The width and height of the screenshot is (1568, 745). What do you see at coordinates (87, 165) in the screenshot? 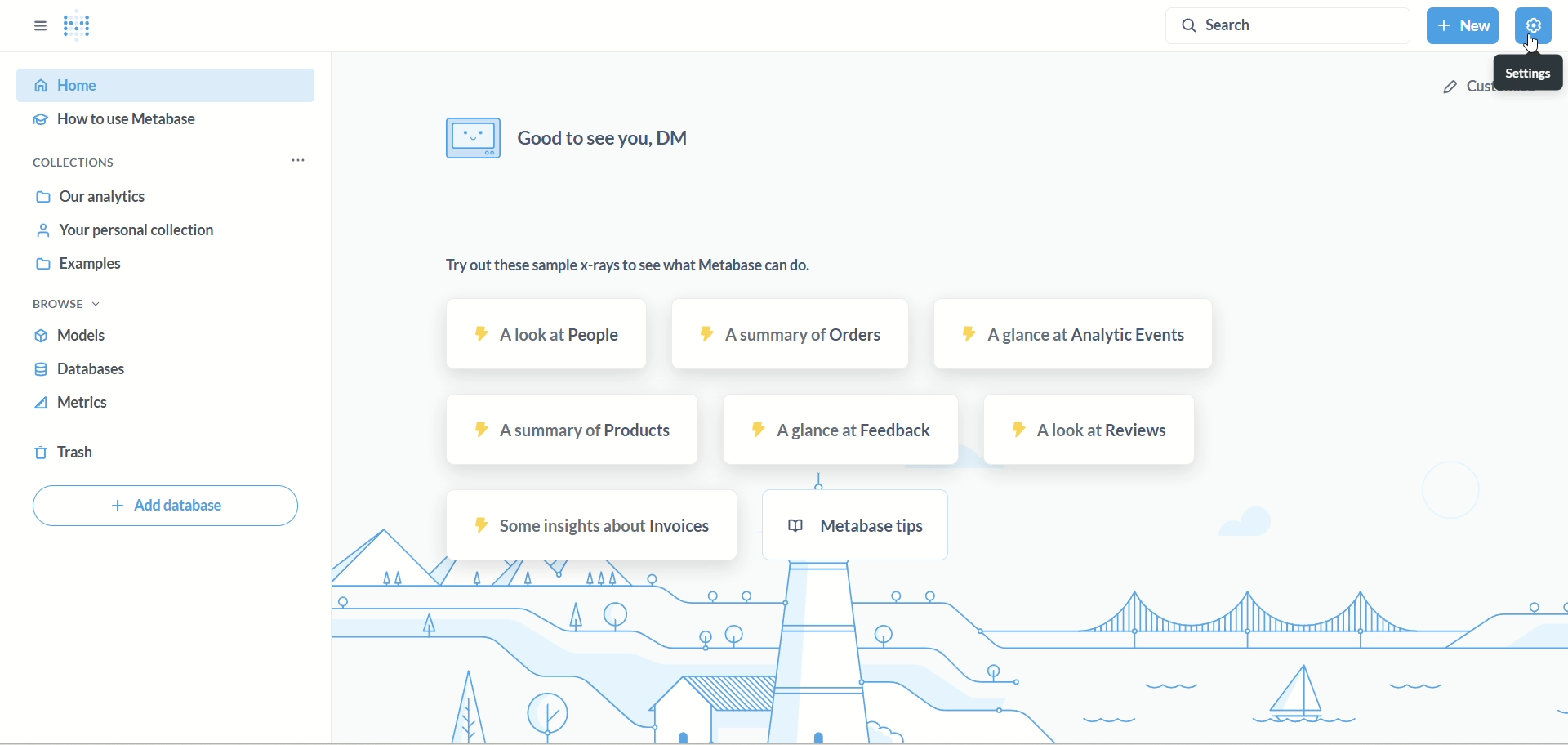
I see `collections` at bounding box center [87, 165].